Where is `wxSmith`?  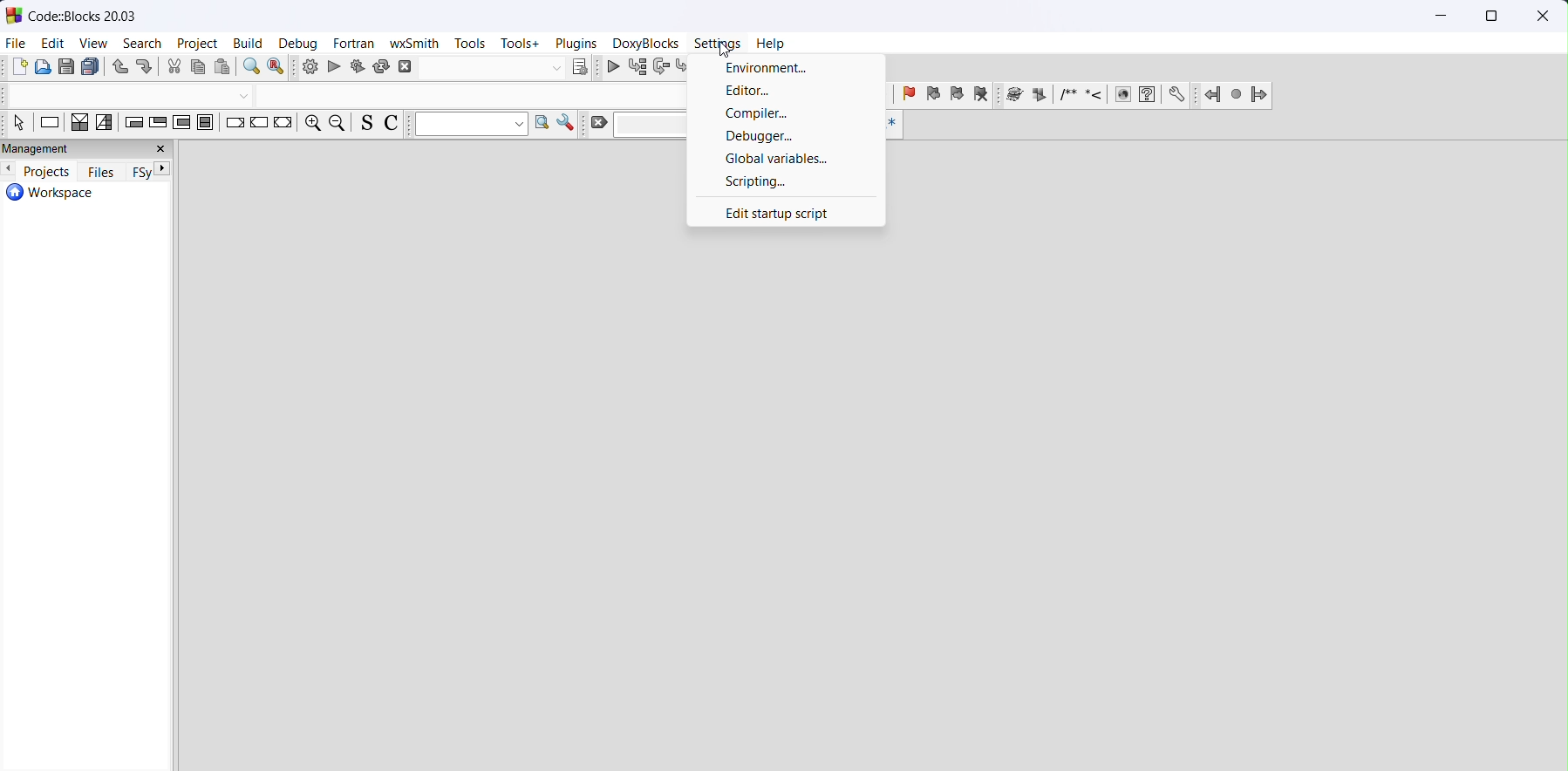 wxSmith is located at coordinates (414, 44).